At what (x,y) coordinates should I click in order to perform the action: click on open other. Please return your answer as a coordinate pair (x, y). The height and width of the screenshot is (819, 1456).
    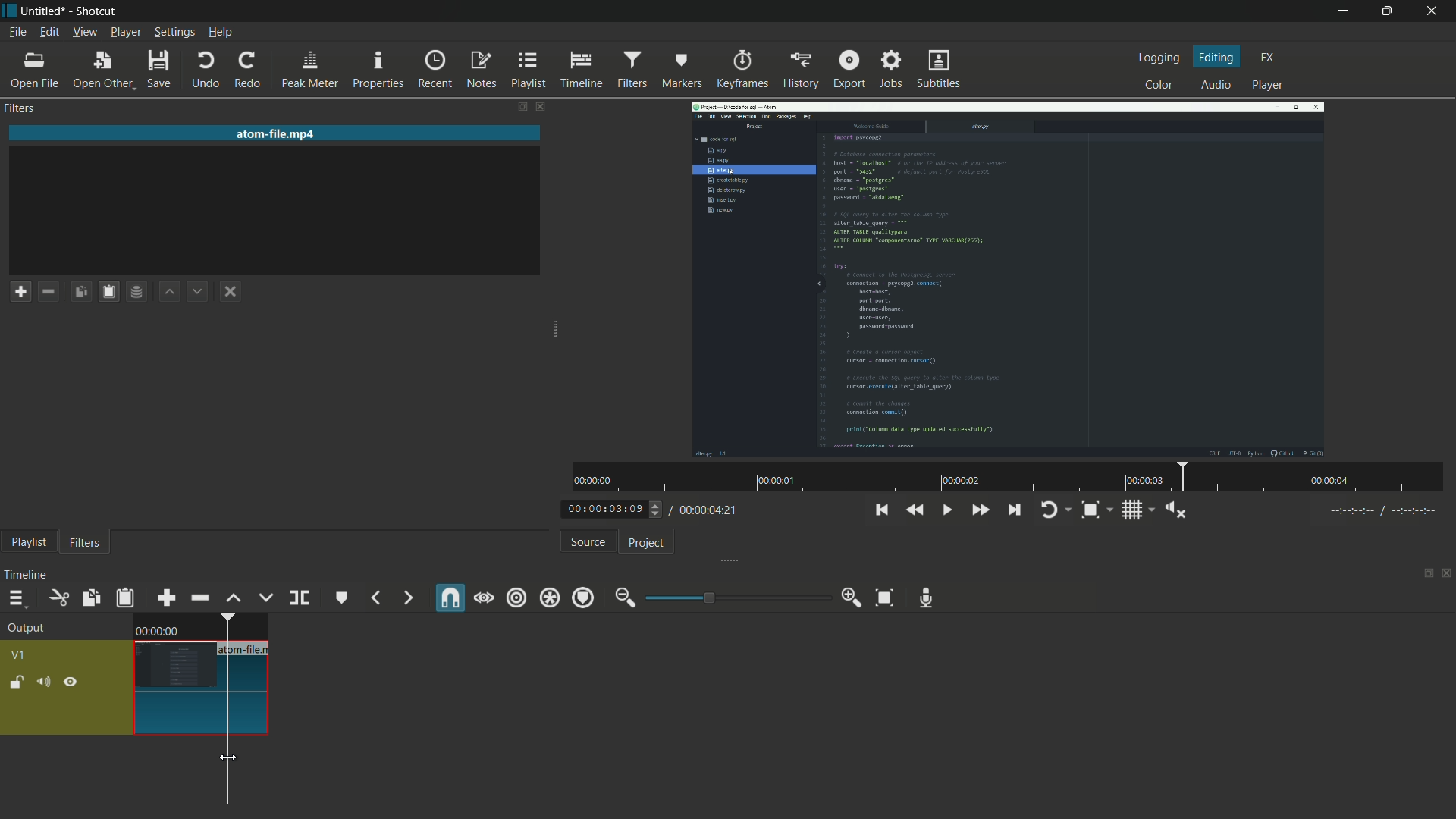
    Looking at the image, I should click on (102, 71).